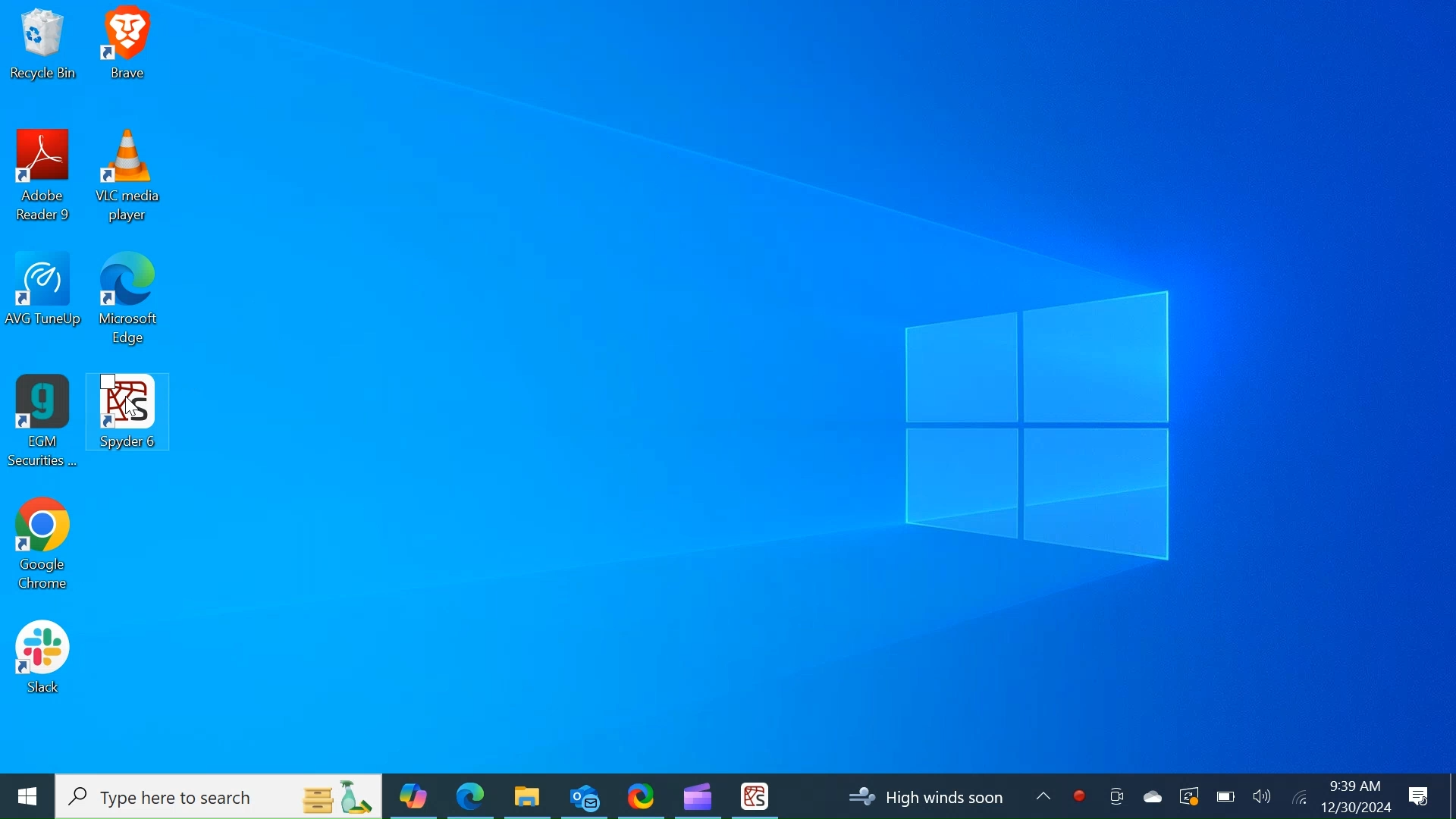 The height and width of the screenshot is (819, 1456). What do you see at coordinates (1298, 795) in the screenshot?
I see `Internet Connectivity` at bounding box center [1298, 795].